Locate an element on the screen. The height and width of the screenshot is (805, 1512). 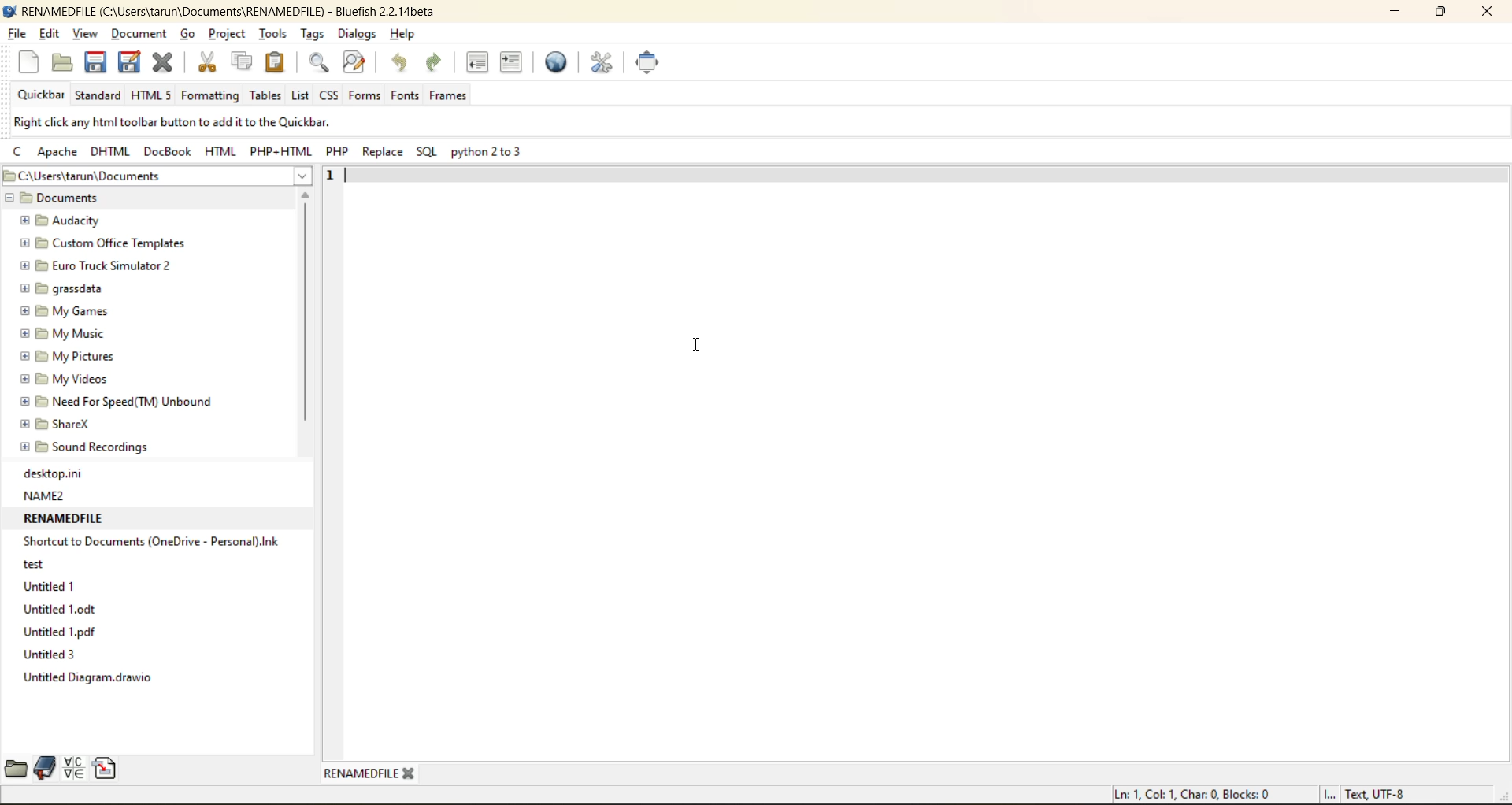
show more is located at coordinates (306, 175).